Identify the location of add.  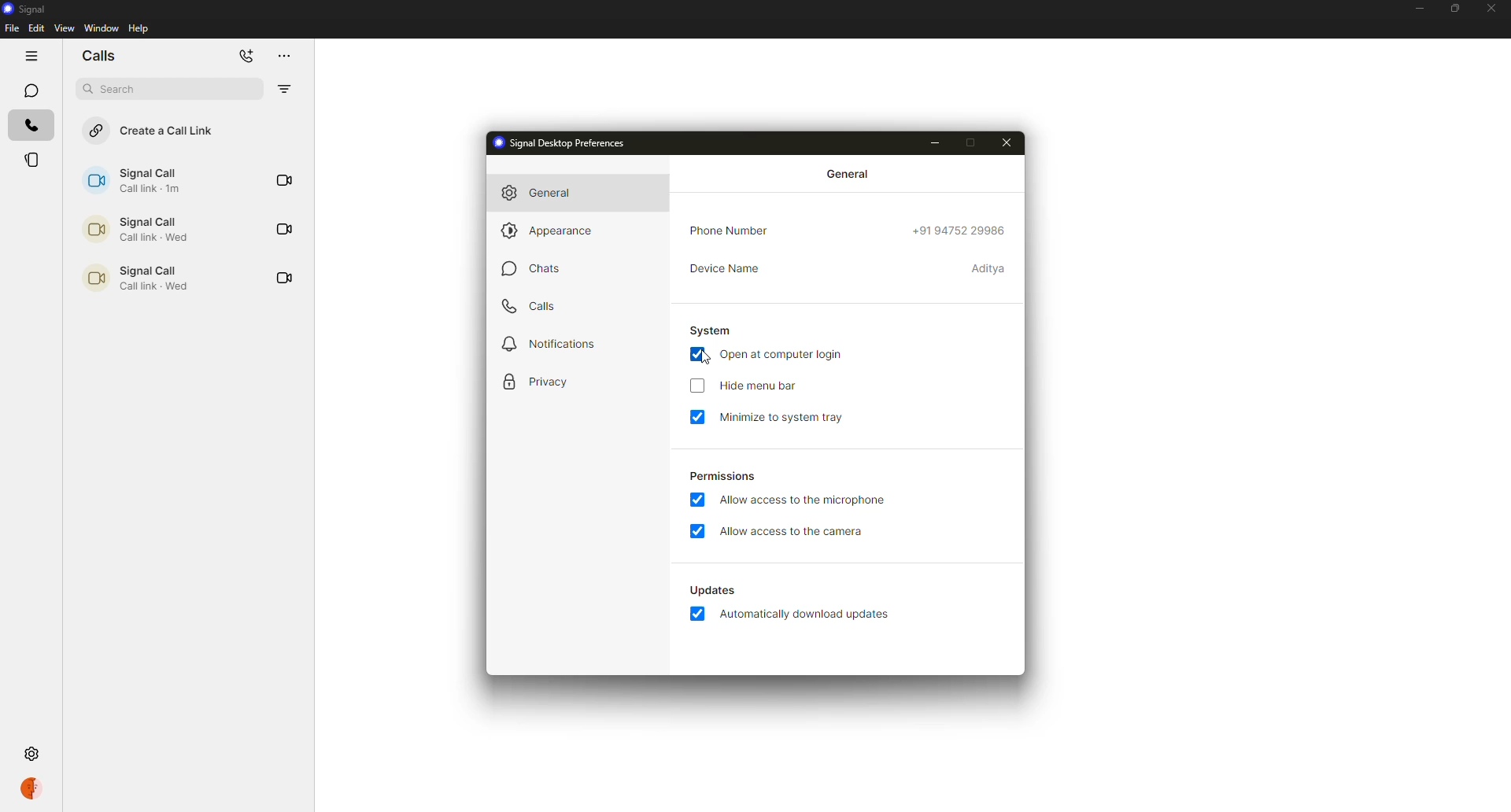
(245, 56).